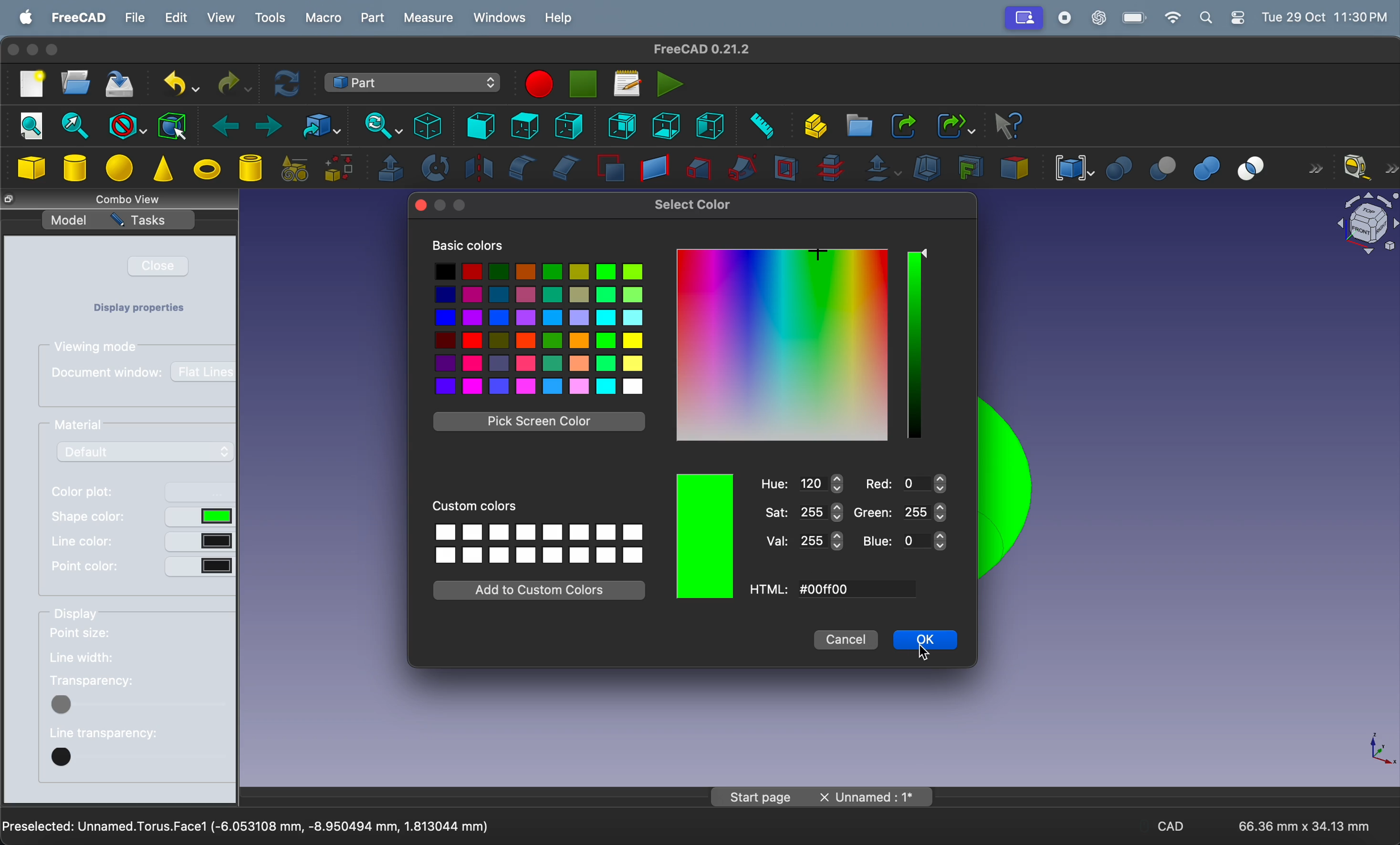 This screenshot has height=845, width=1400. What do you see at coordinates (30, 125) in the screenshot?
I see `fit all` at bounding box center [30, 125].